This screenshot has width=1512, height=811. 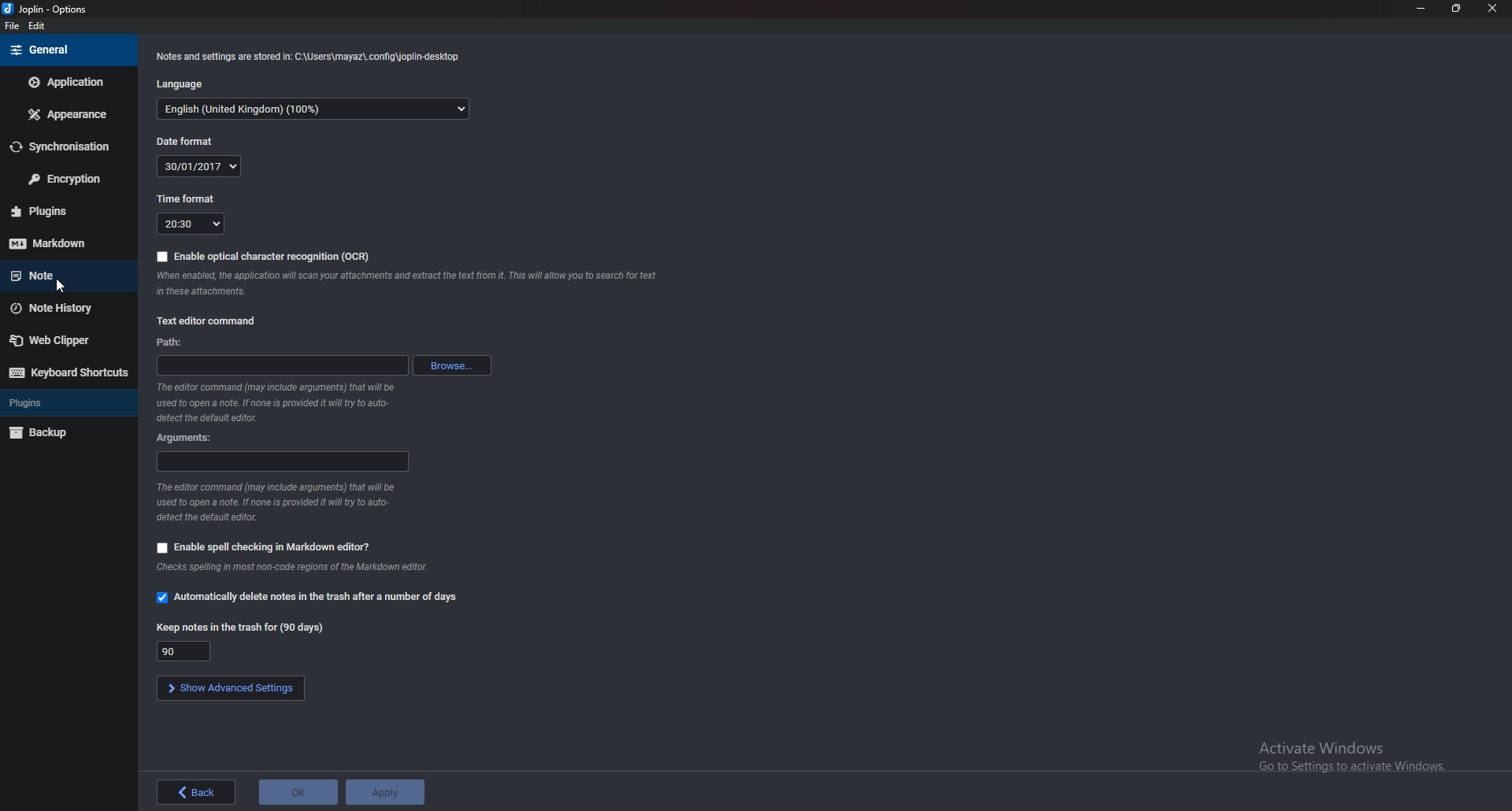 I want to click on Close, so click(x=1492, y=8).